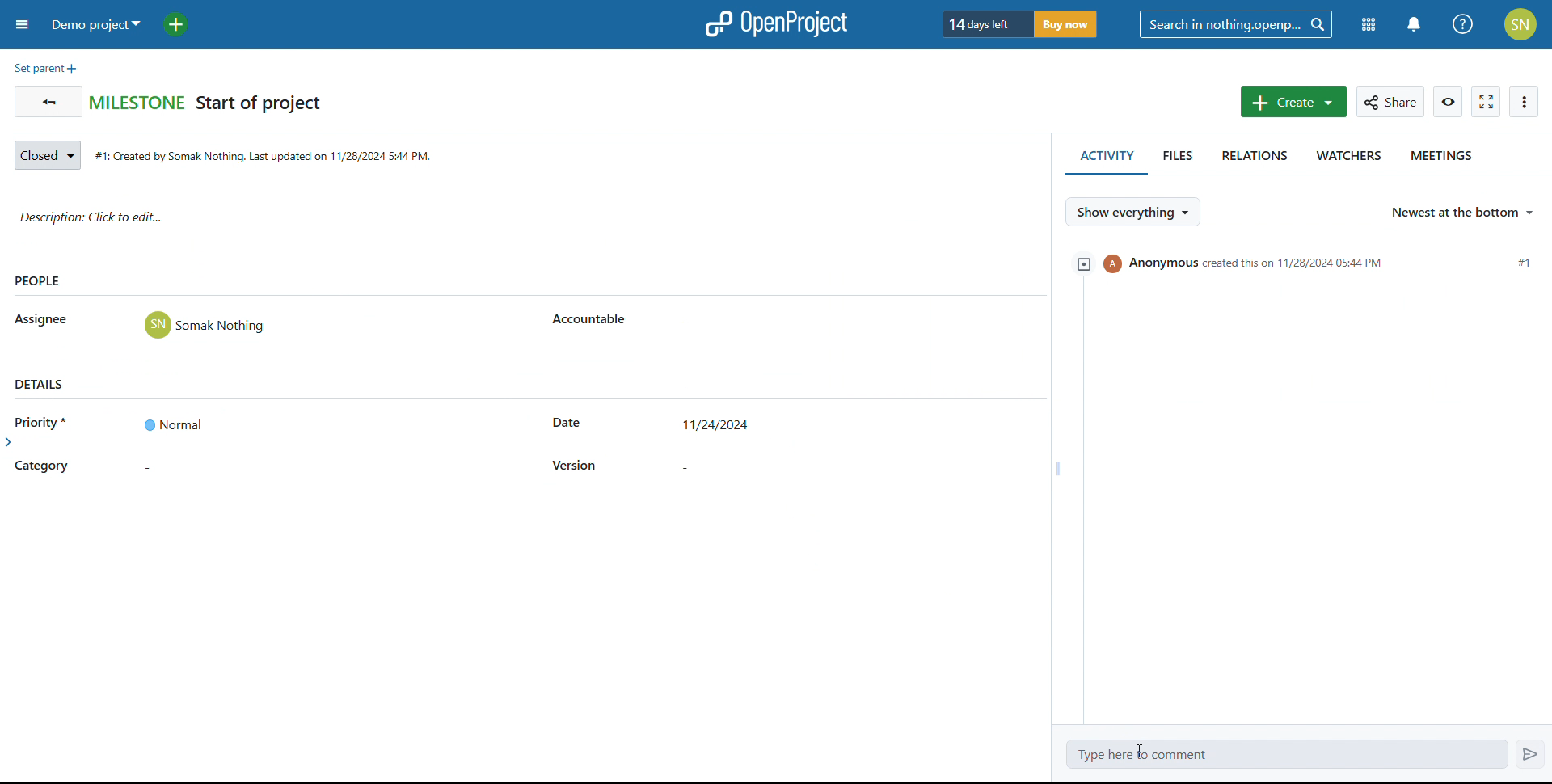 The image size is (1552, 784). What do you see at coordinates (591, 320) in the screenshot?
I see `accountable` at bounding box center [591, 320].